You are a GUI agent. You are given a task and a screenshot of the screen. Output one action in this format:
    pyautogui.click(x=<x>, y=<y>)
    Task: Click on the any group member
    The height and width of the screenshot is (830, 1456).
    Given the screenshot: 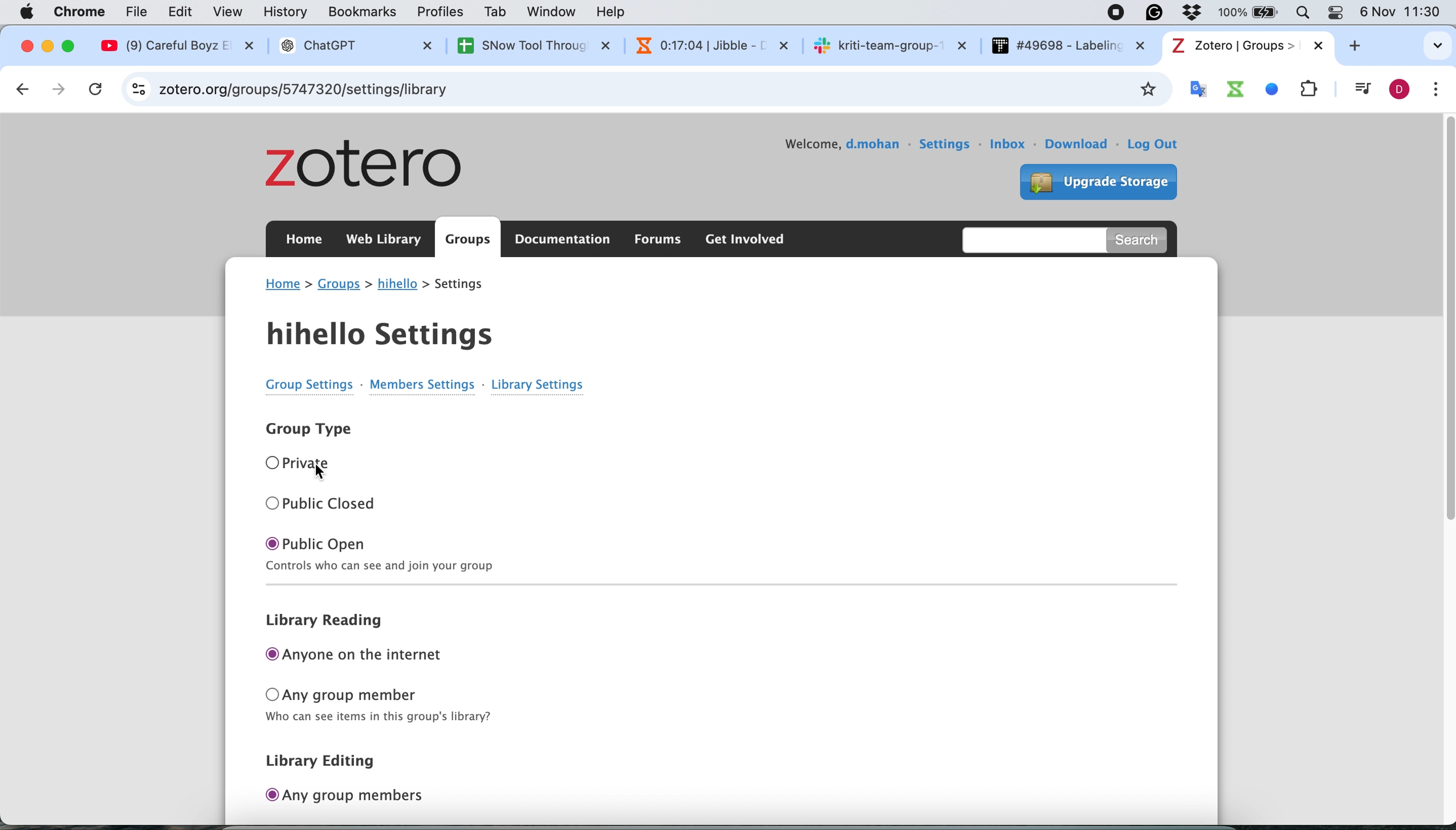 What is the action you would take?
    pyautogui.click(x=381, y=694)
    